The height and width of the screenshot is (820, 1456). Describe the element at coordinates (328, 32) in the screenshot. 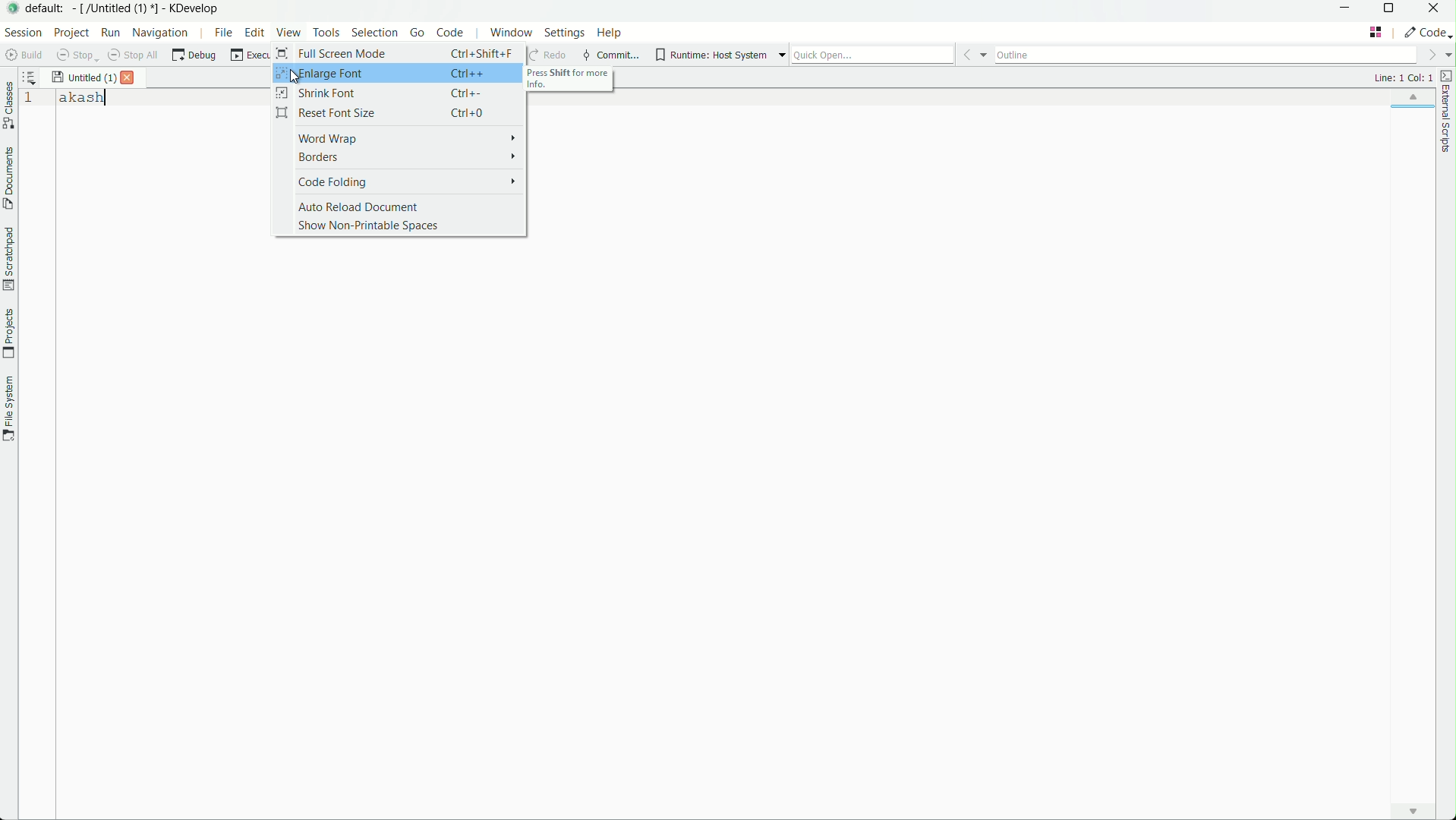

I see `tools` at that location.